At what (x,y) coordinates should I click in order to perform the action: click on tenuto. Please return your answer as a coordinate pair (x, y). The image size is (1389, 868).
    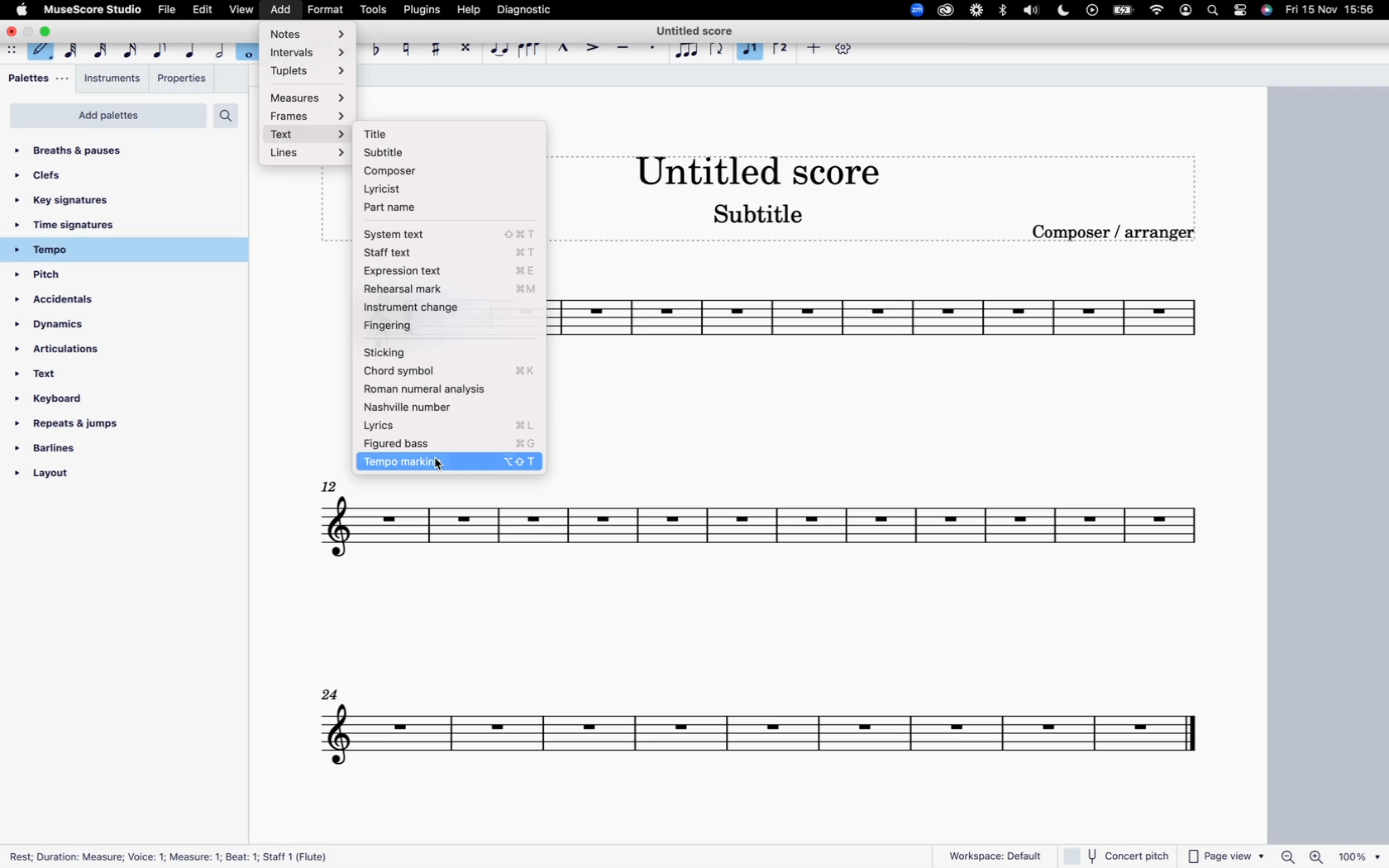
    Looking at the image, I should click on (622, 48).